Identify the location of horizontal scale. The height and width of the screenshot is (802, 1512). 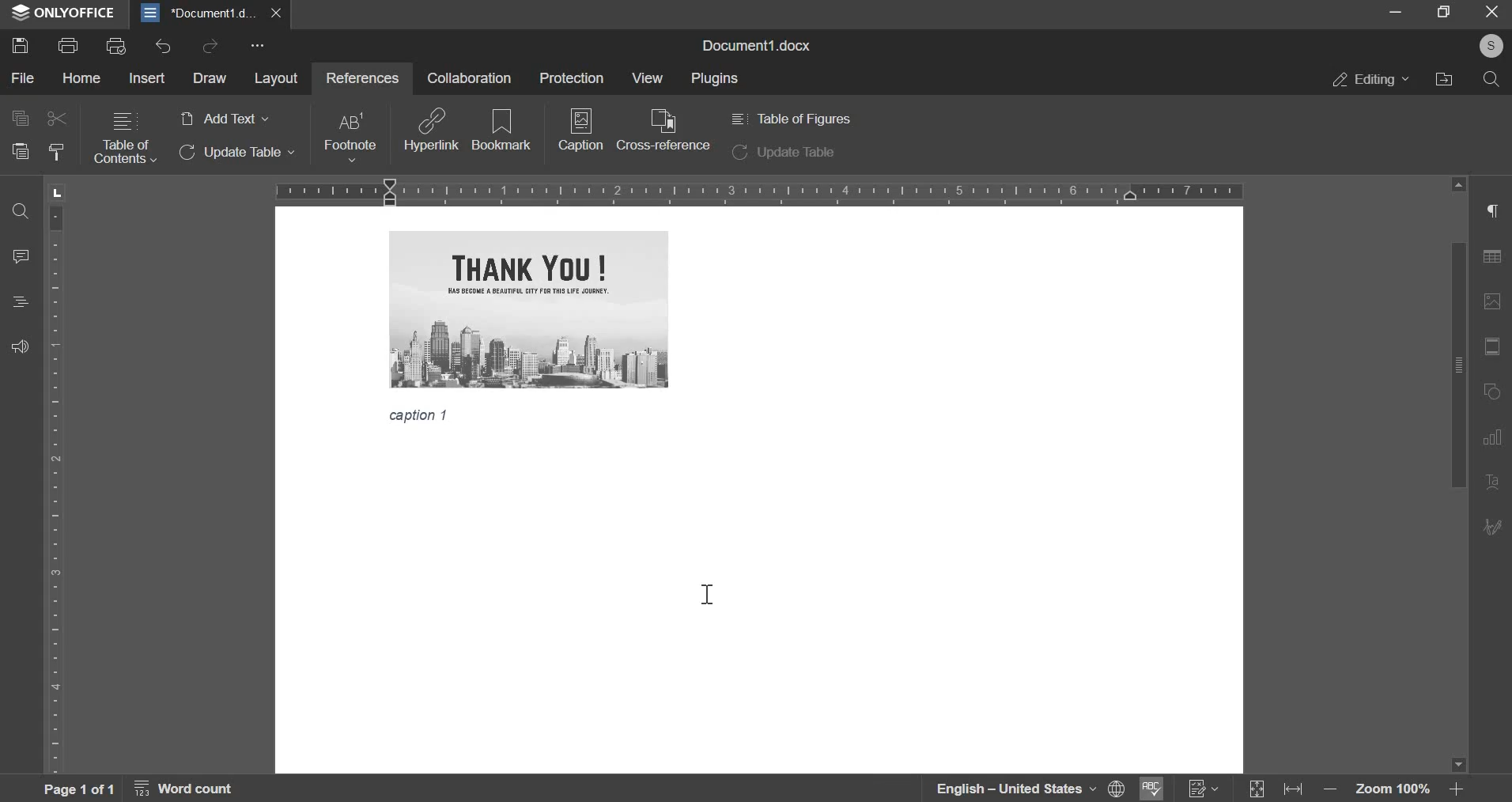
(759, 190).